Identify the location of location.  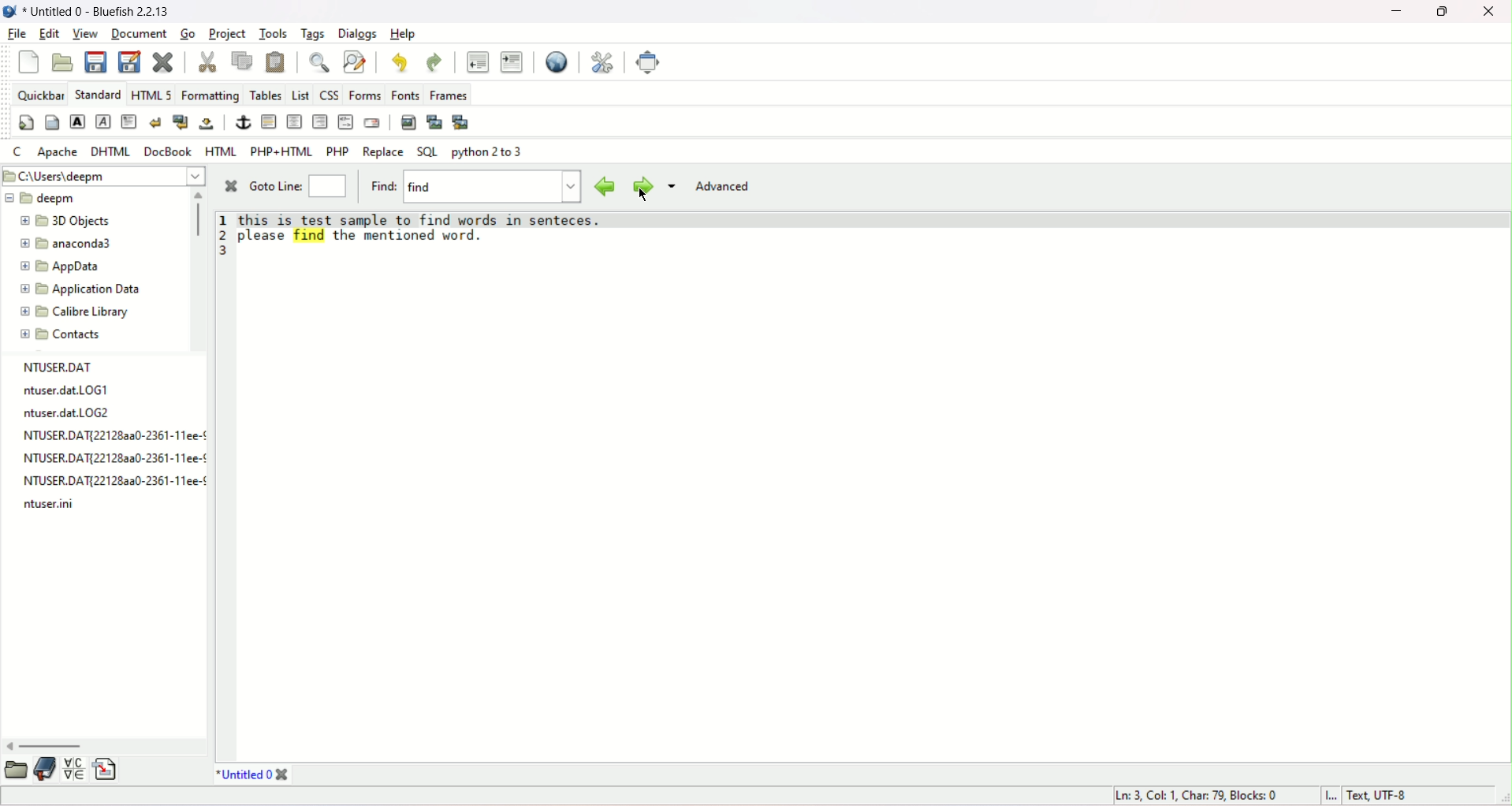
(102, 177).